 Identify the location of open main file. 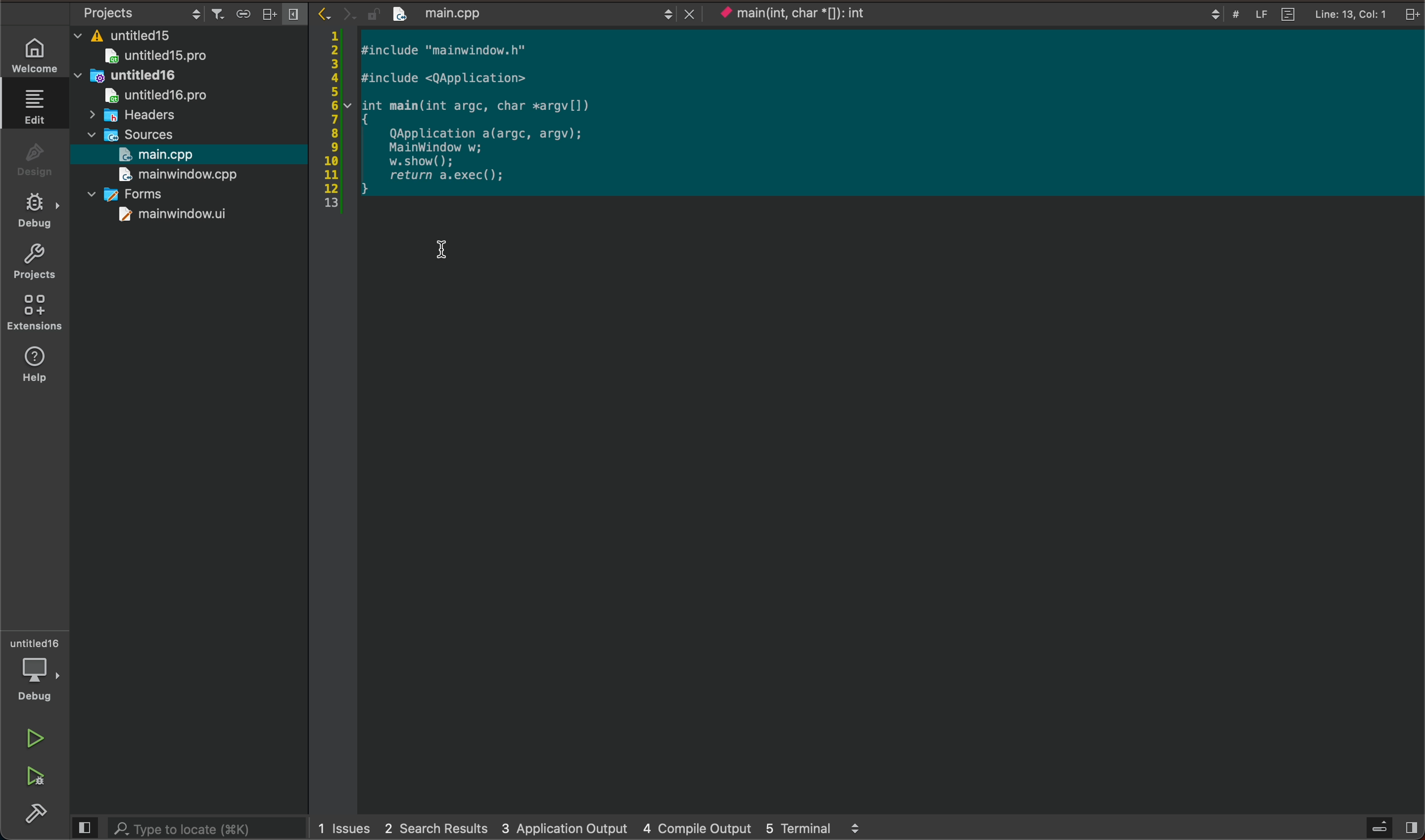
(179, 155).